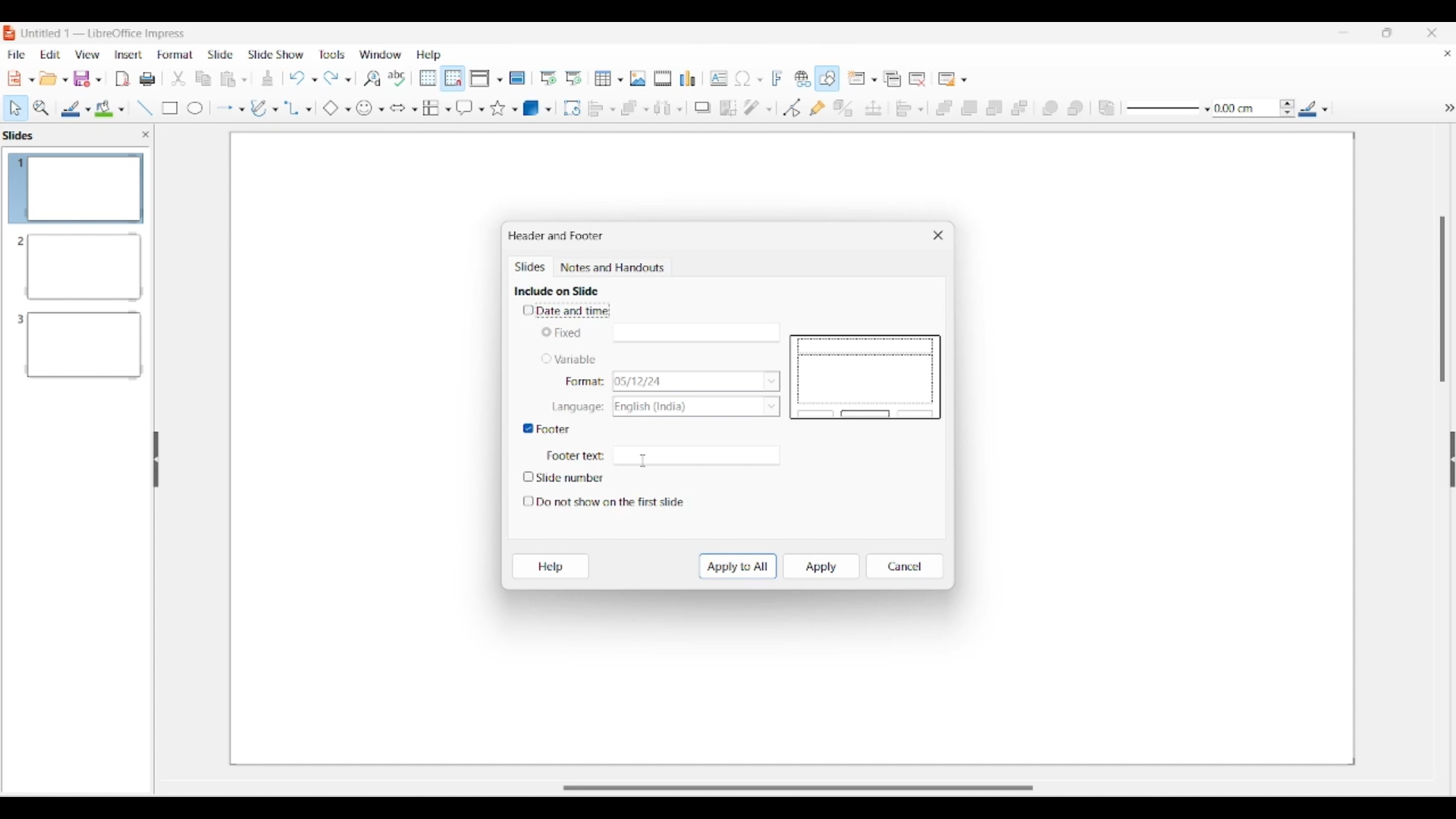 This screenshot has width=1456, height=819. I want to click on Help menu, so click(429, 55).